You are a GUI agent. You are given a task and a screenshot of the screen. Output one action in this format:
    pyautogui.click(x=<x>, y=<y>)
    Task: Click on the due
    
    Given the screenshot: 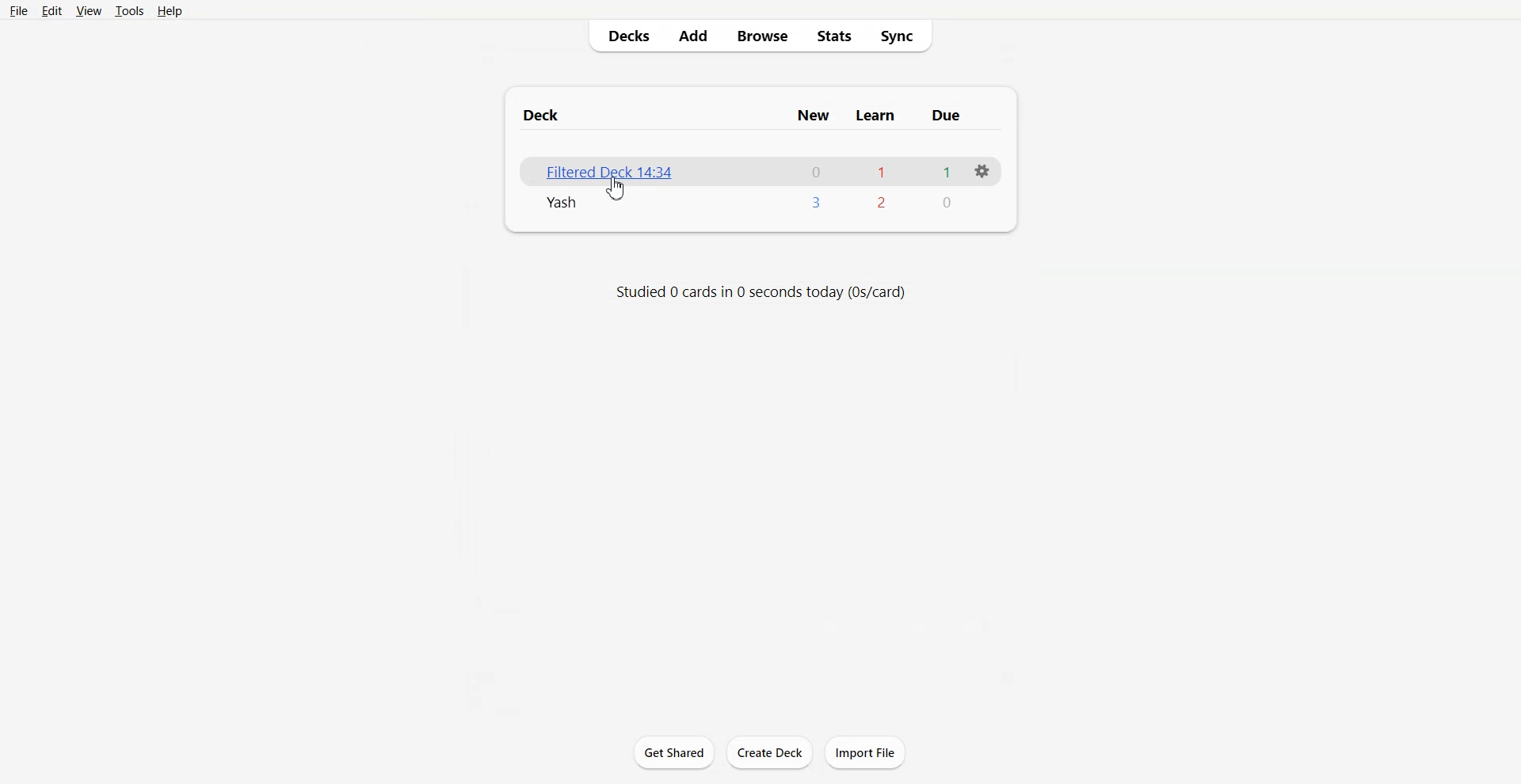 What is the action you would take?
    pyautogui.click(x=945, y=116)
    